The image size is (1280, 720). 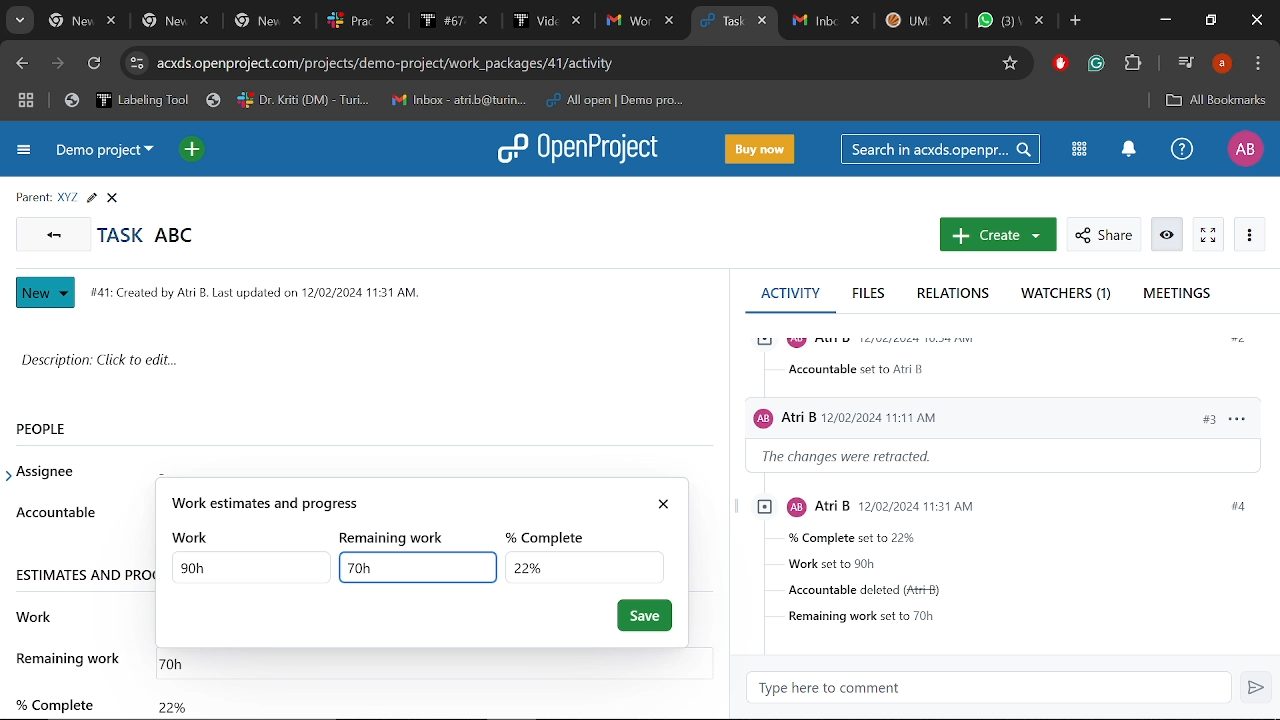 I want to click on Activity, so click(x=790, y=292).